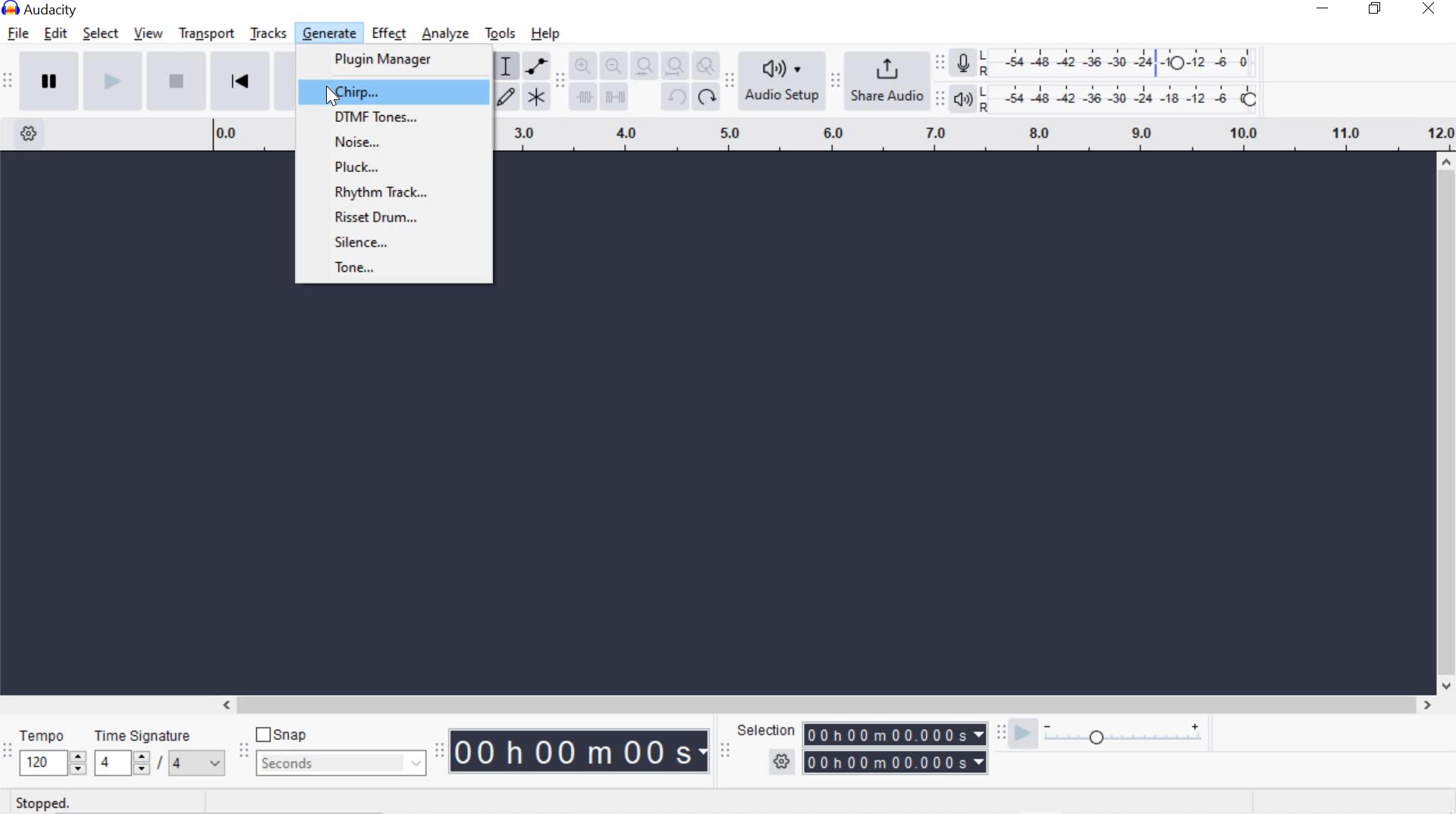  Describe the element at coordinates (336, 98) in the screenshot. I see `Cursor` at that location.